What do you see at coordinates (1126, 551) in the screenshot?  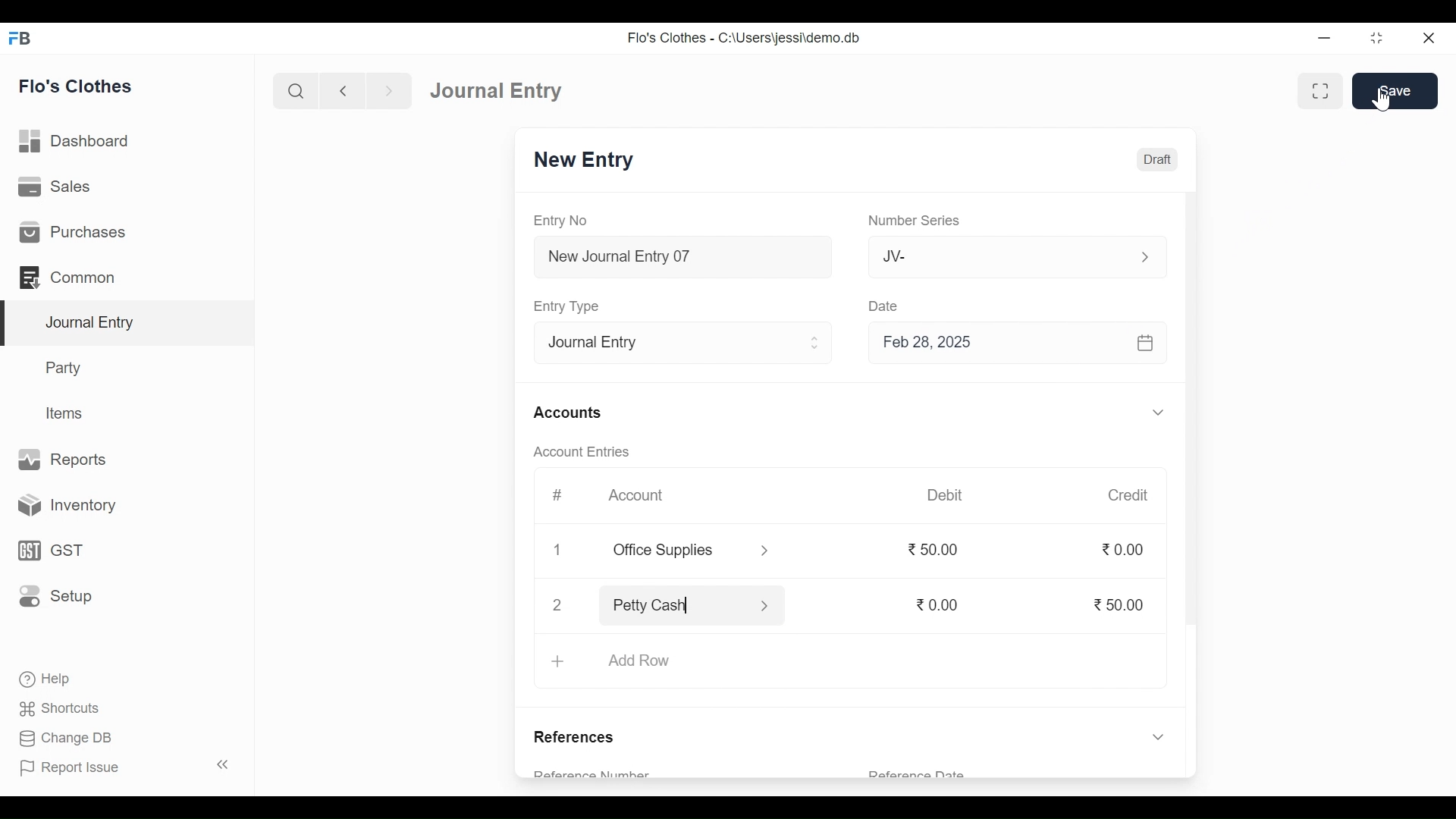 I see `0.00` at bounding box center [1126, 551].